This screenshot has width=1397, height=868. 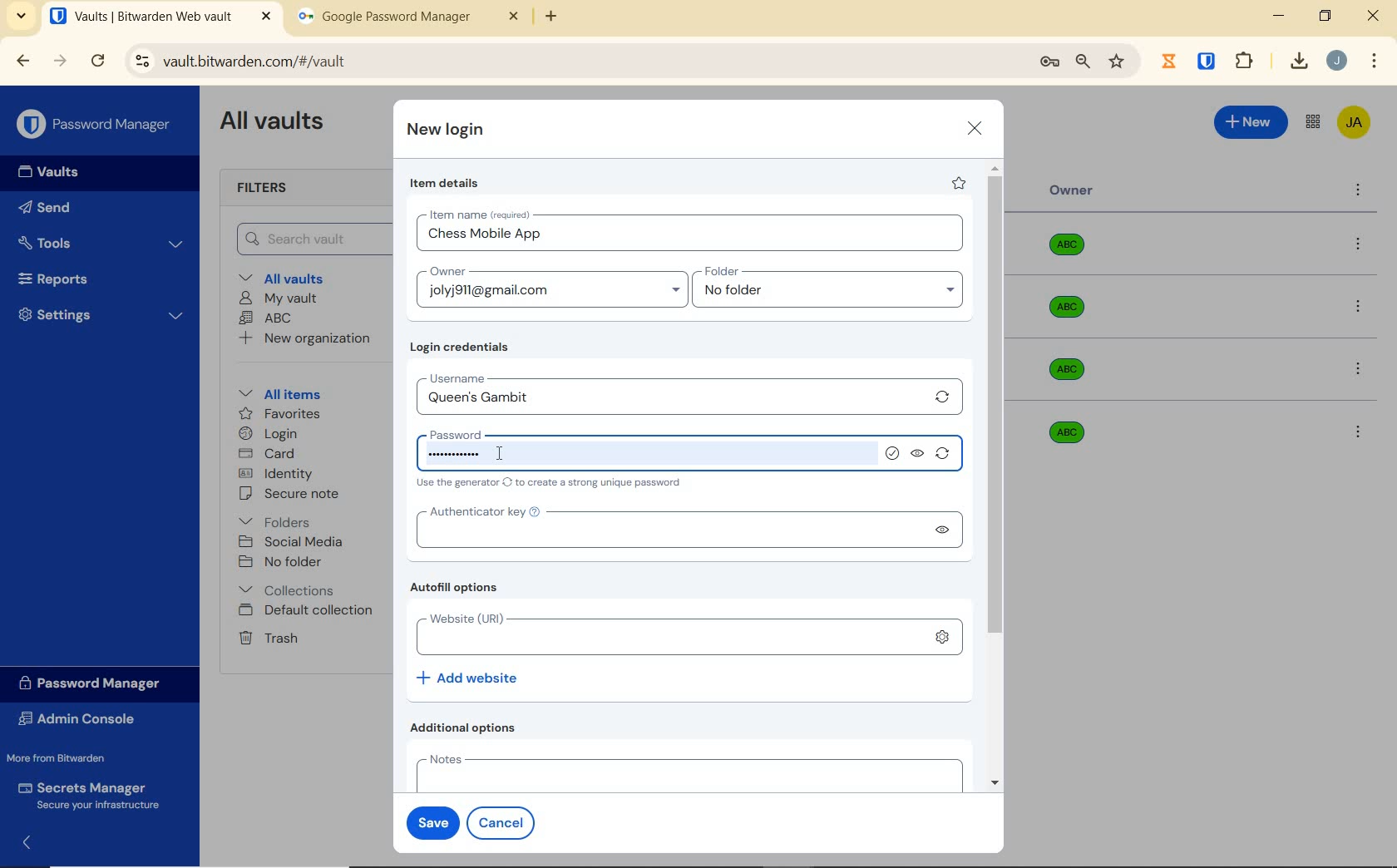 What do you see at coordinates (294, 494) in the screenshot?
I see `secure note` at bounding box center [294, 494].